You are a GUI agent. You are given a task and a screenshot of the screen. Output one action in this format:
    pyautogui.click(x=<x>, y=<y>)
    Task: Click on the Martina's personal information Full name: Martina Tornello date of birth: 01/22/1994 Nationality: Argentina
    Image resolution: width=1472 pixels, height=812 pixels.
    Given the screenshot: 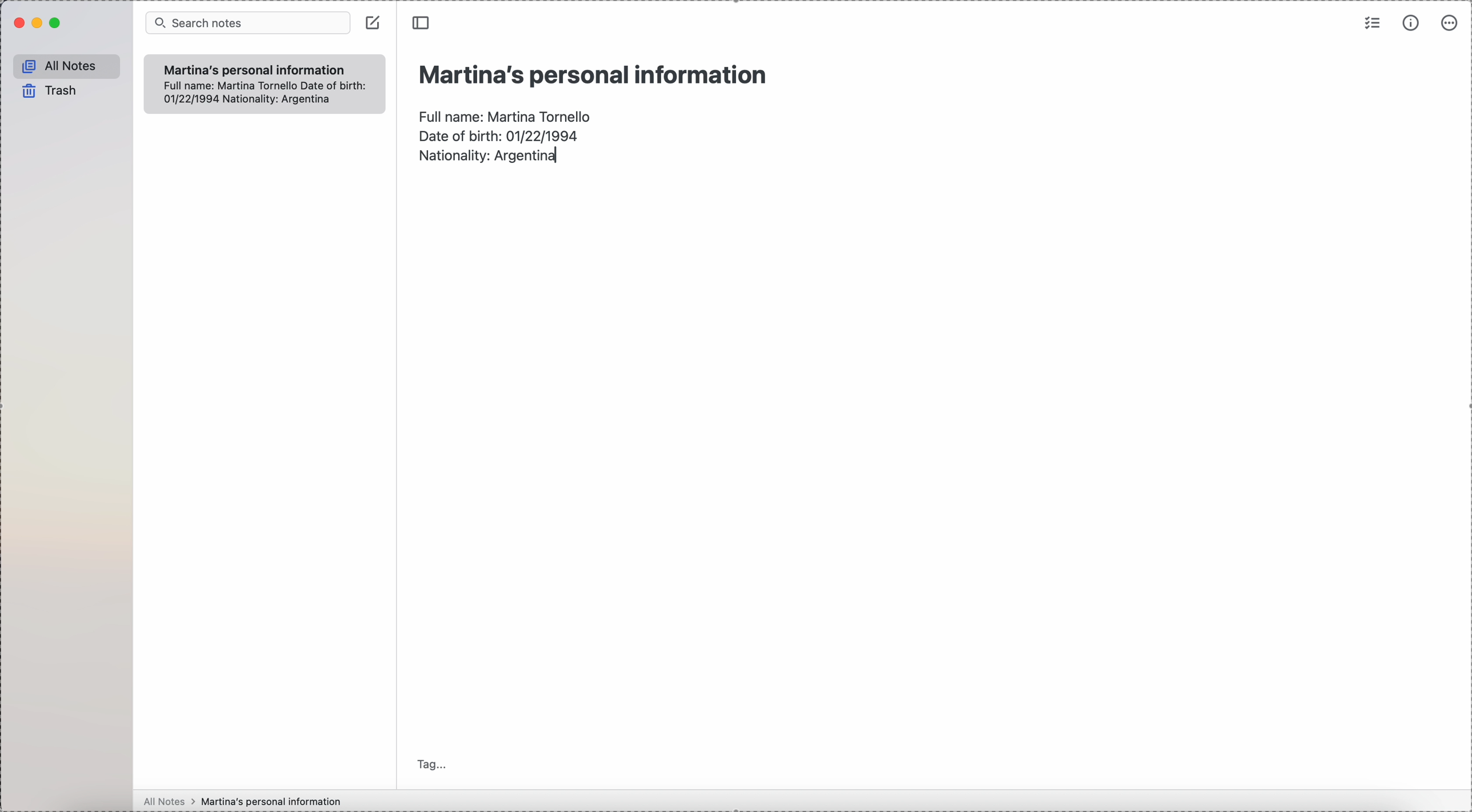 What is the action you would take?
    pyautogui.click(x=263, y=82)
    